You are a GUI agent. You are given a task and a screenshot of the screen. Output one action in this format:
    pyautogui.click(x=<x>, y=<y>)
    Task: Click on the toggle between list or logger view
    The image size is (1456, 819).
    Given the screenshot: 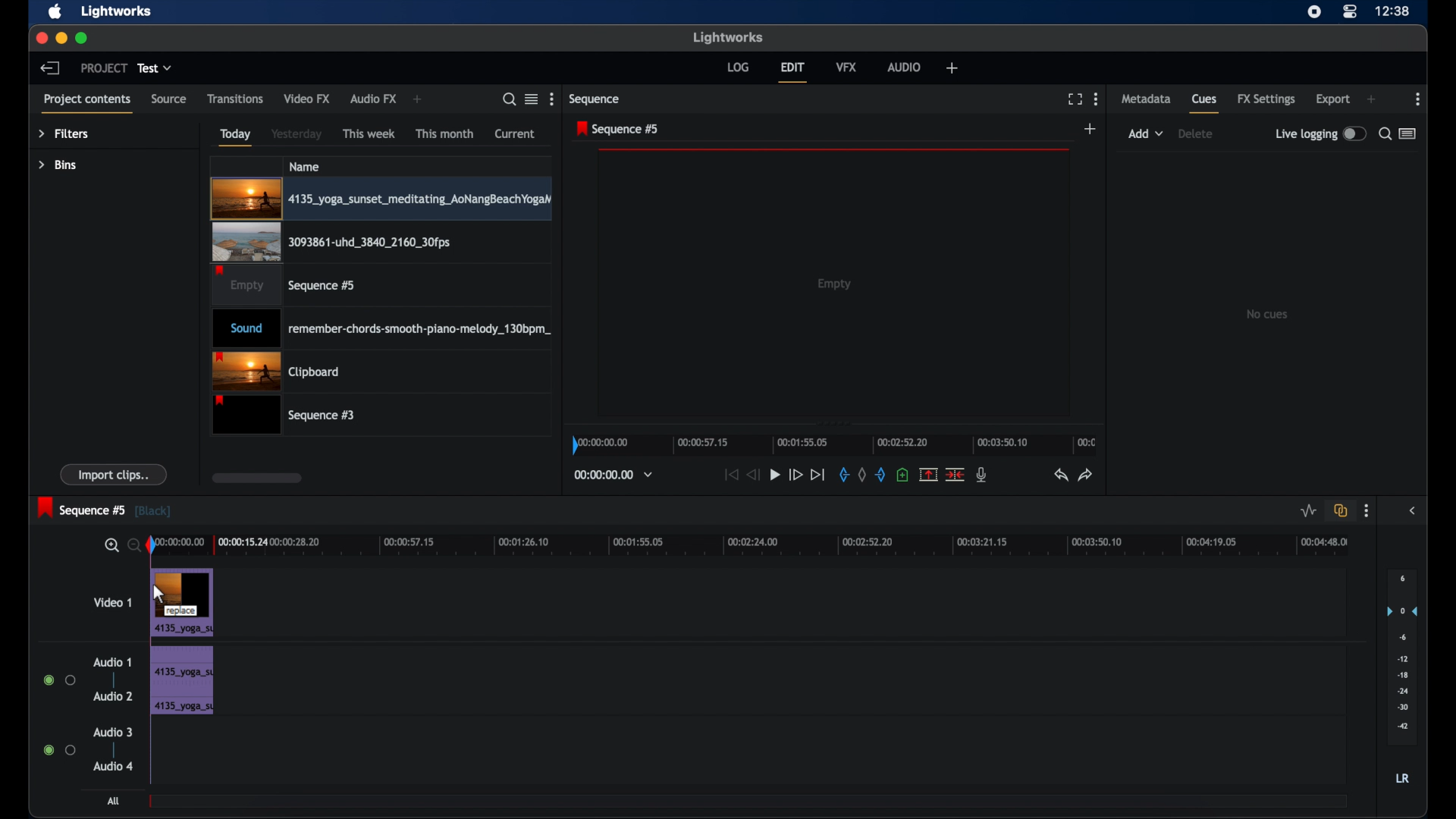 What is the action you would take?
    pyautogui.click(x=1407, y=133)
    